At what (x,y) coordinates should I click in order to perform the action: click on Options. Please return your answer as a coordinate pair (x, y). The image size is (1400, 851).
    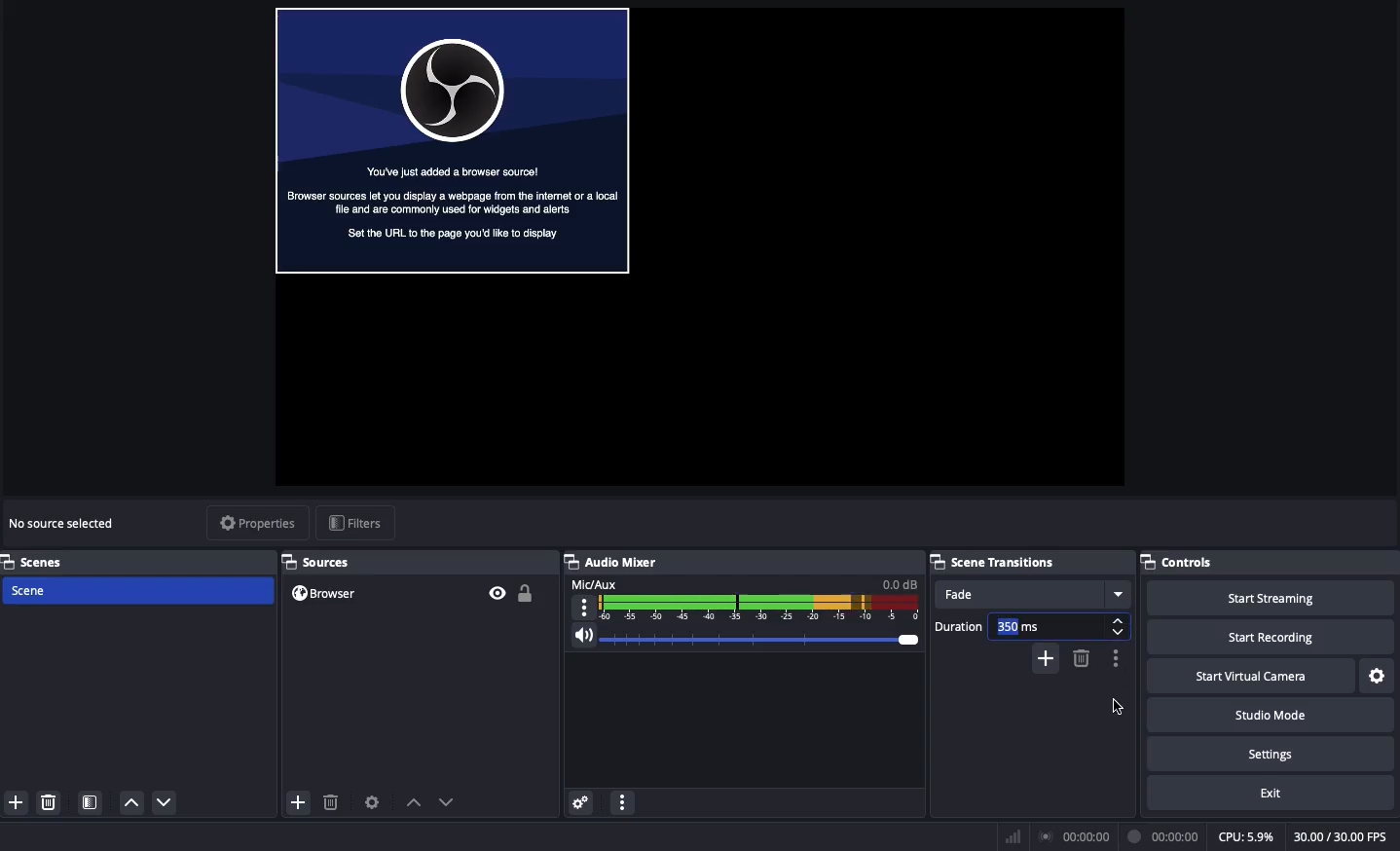
    Looking at the image, I should click on (623, 803).